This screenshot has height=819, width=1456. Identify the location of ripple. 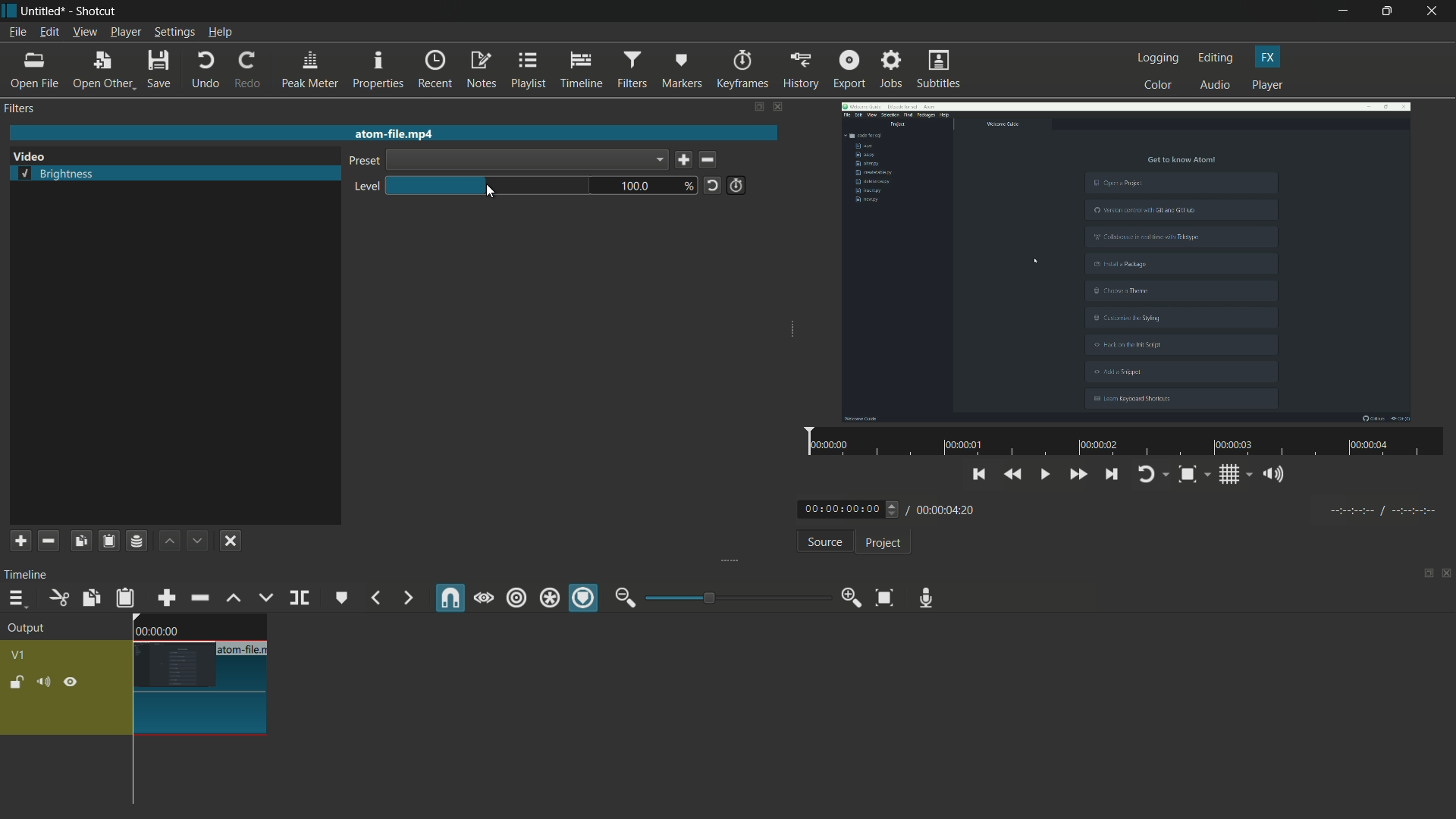
(516, 598).